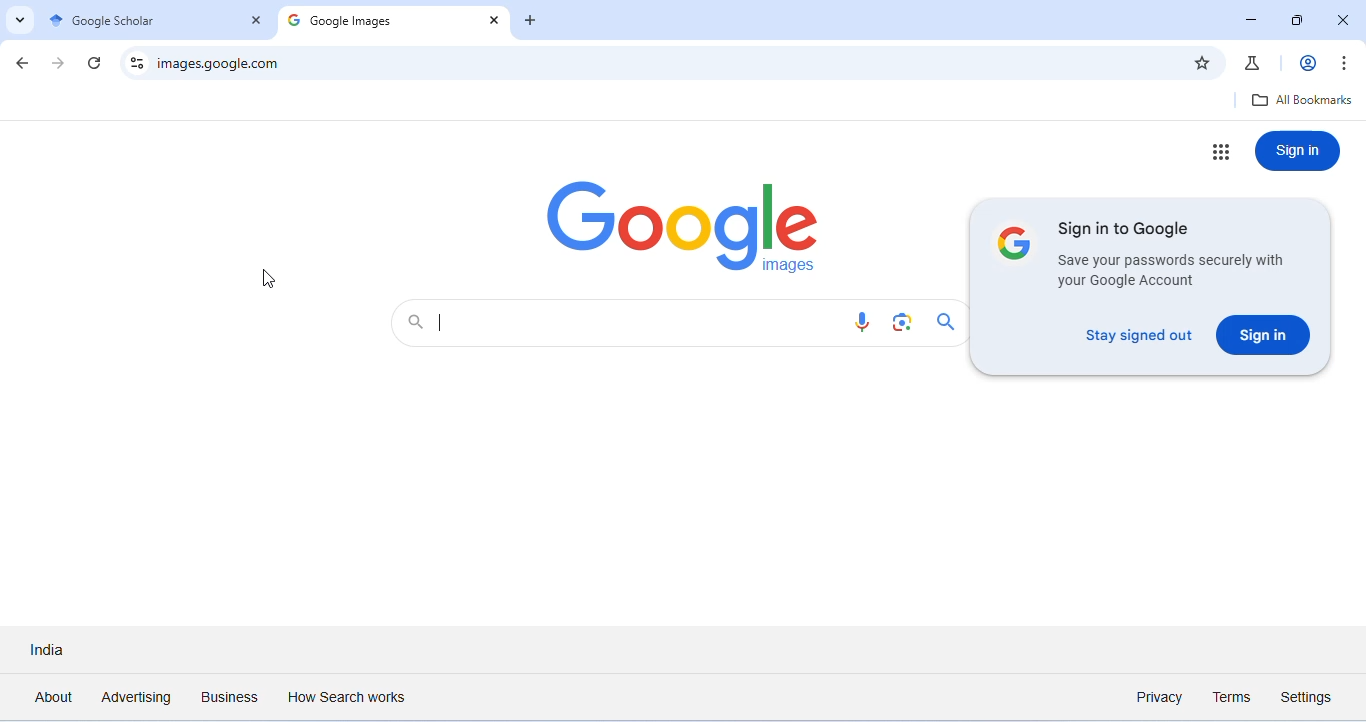 This screenshot has width=1366, height=722. Describe the element at coordinates (1342, 21) in the screenshot. I see `close` at that location.